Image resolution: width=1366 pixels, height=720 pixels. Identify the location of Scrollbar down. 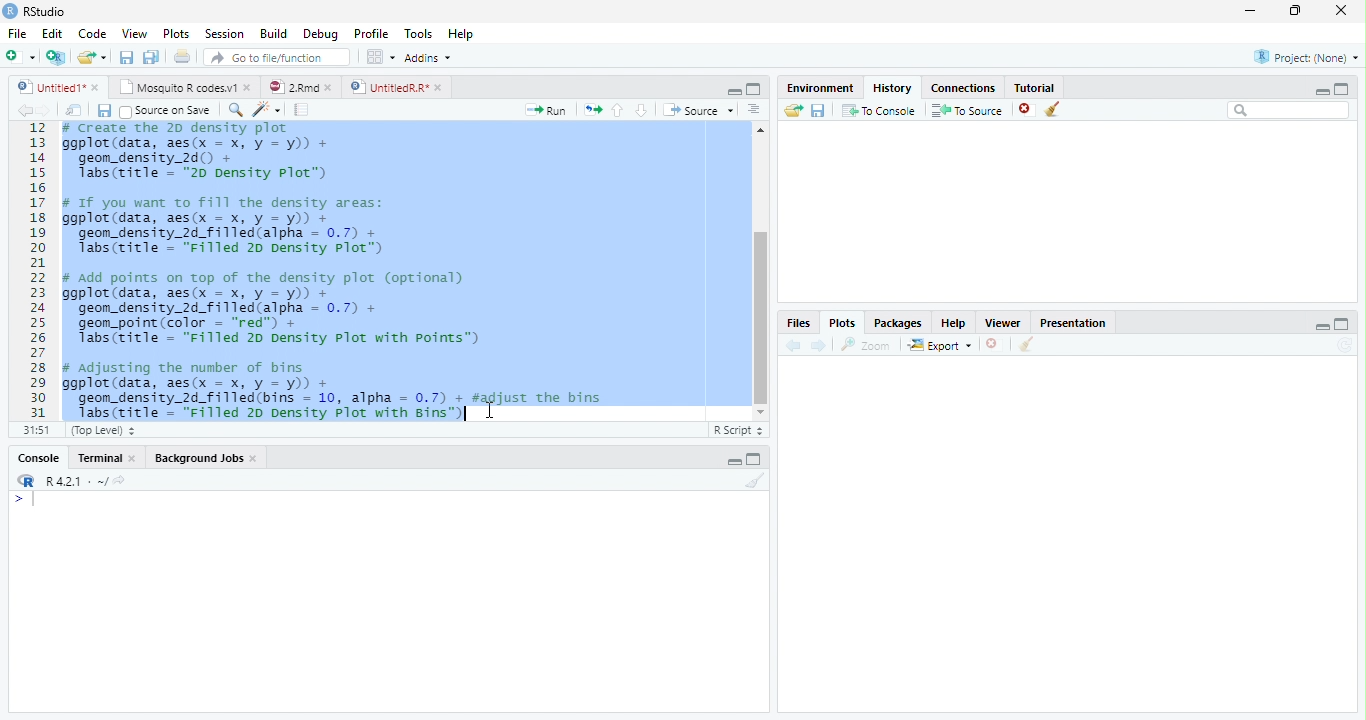
(760, 412).